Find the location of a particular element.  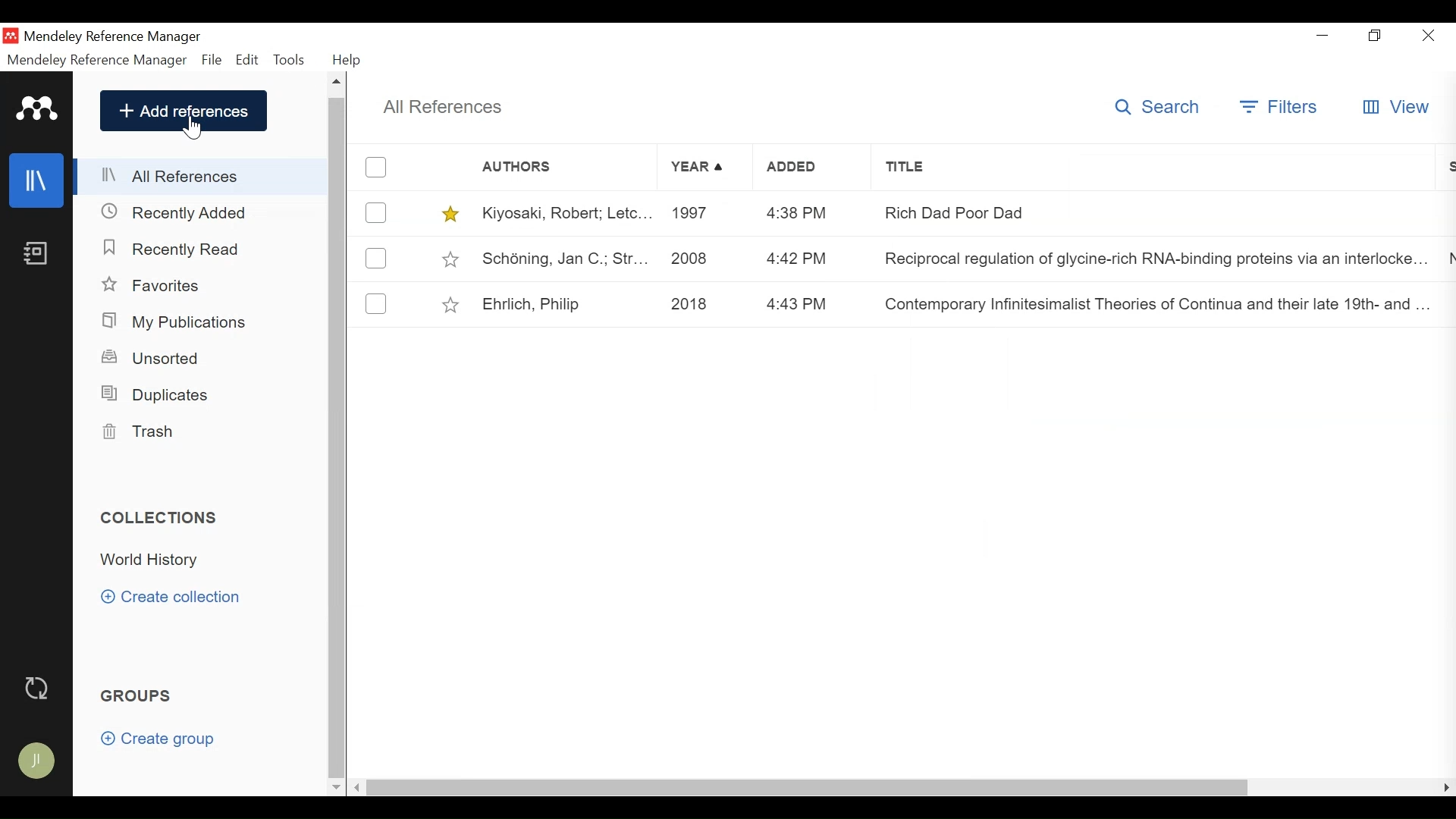

Kiyosaki, Robert; Letc... is located at coordinates (566, 214).